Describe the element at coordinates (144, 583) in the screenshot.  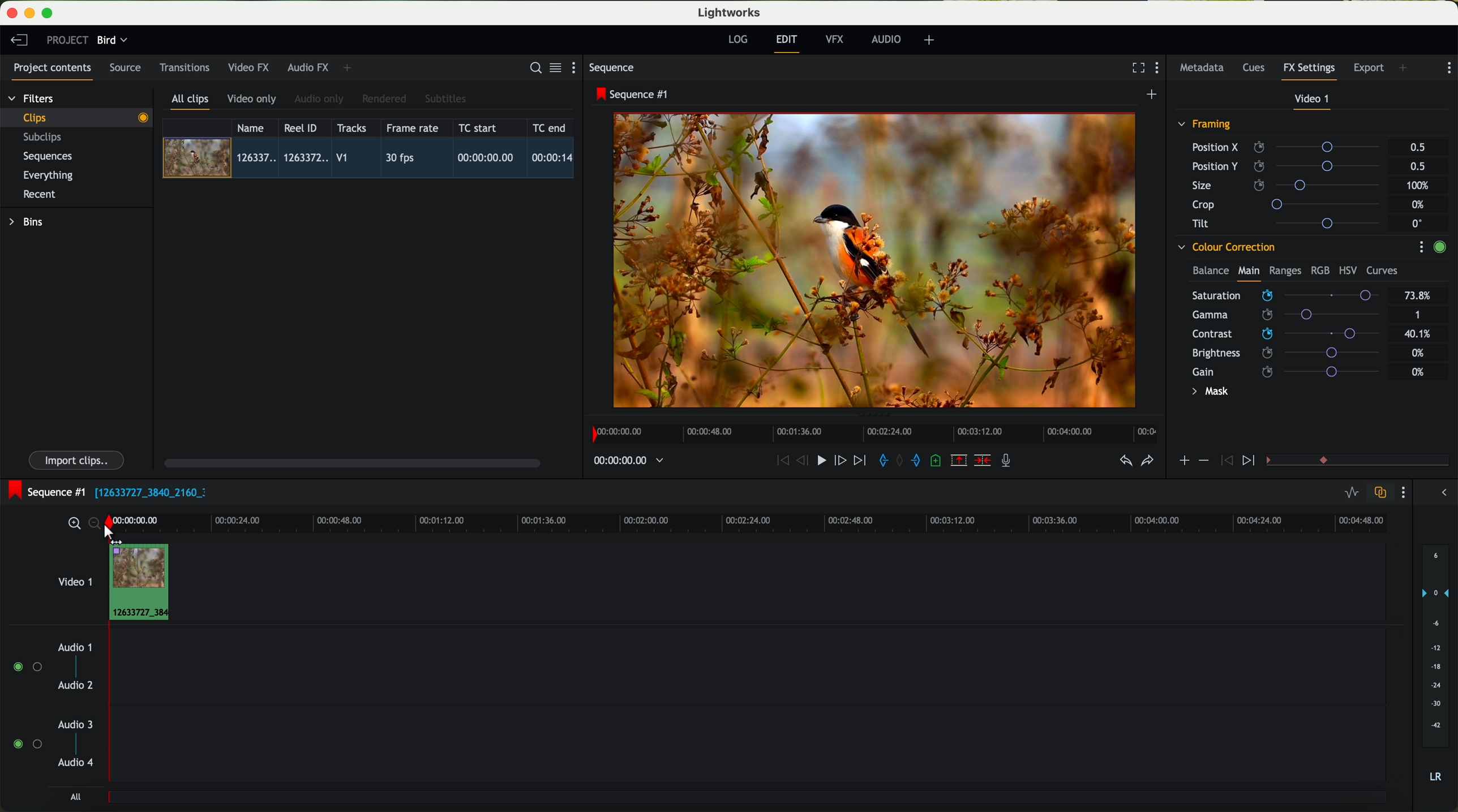
I see `drag video to video track 1` at that location.